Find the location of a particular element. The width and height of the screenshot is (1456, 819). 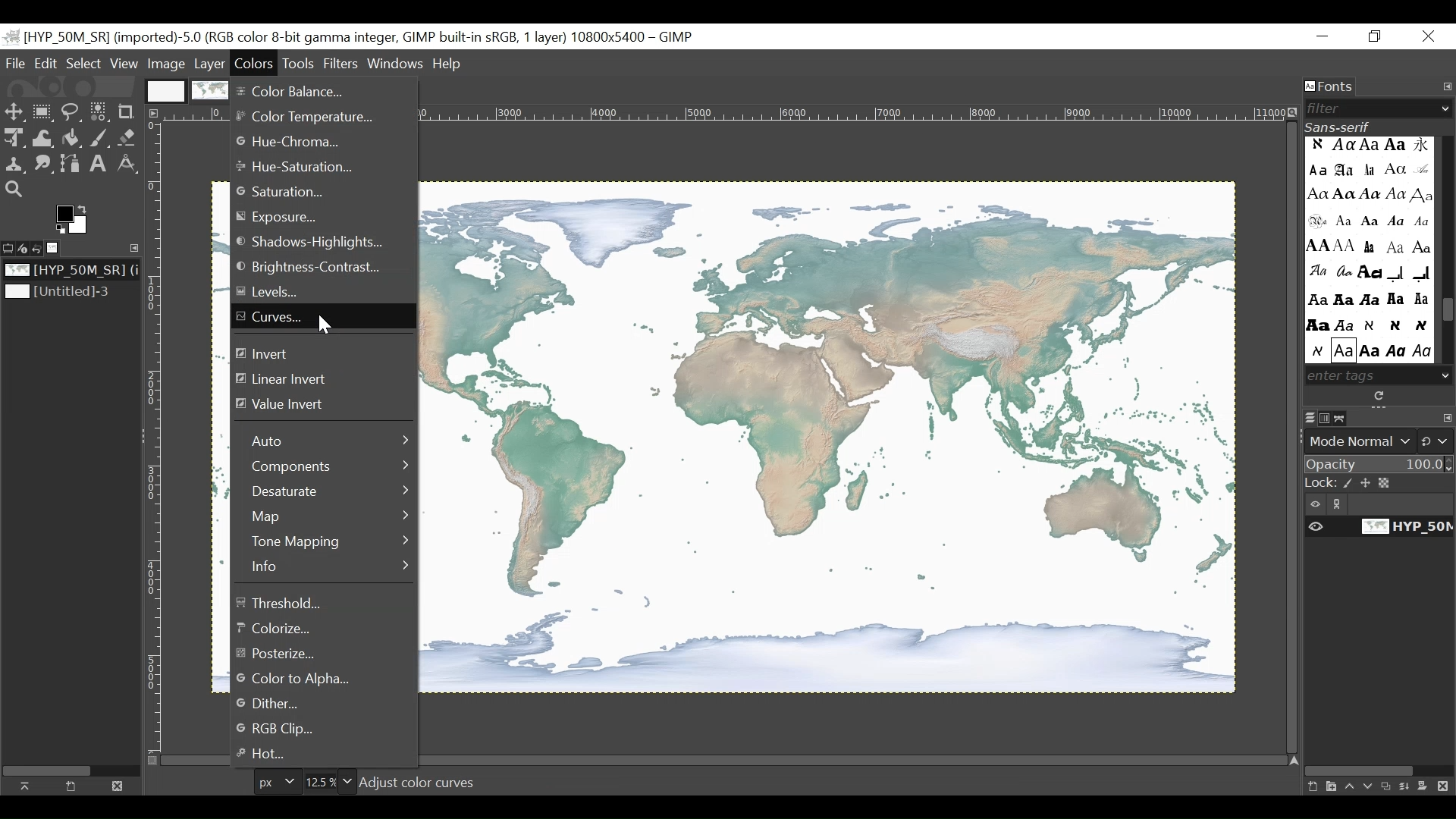

Hot is located at coordinates (281, 755).